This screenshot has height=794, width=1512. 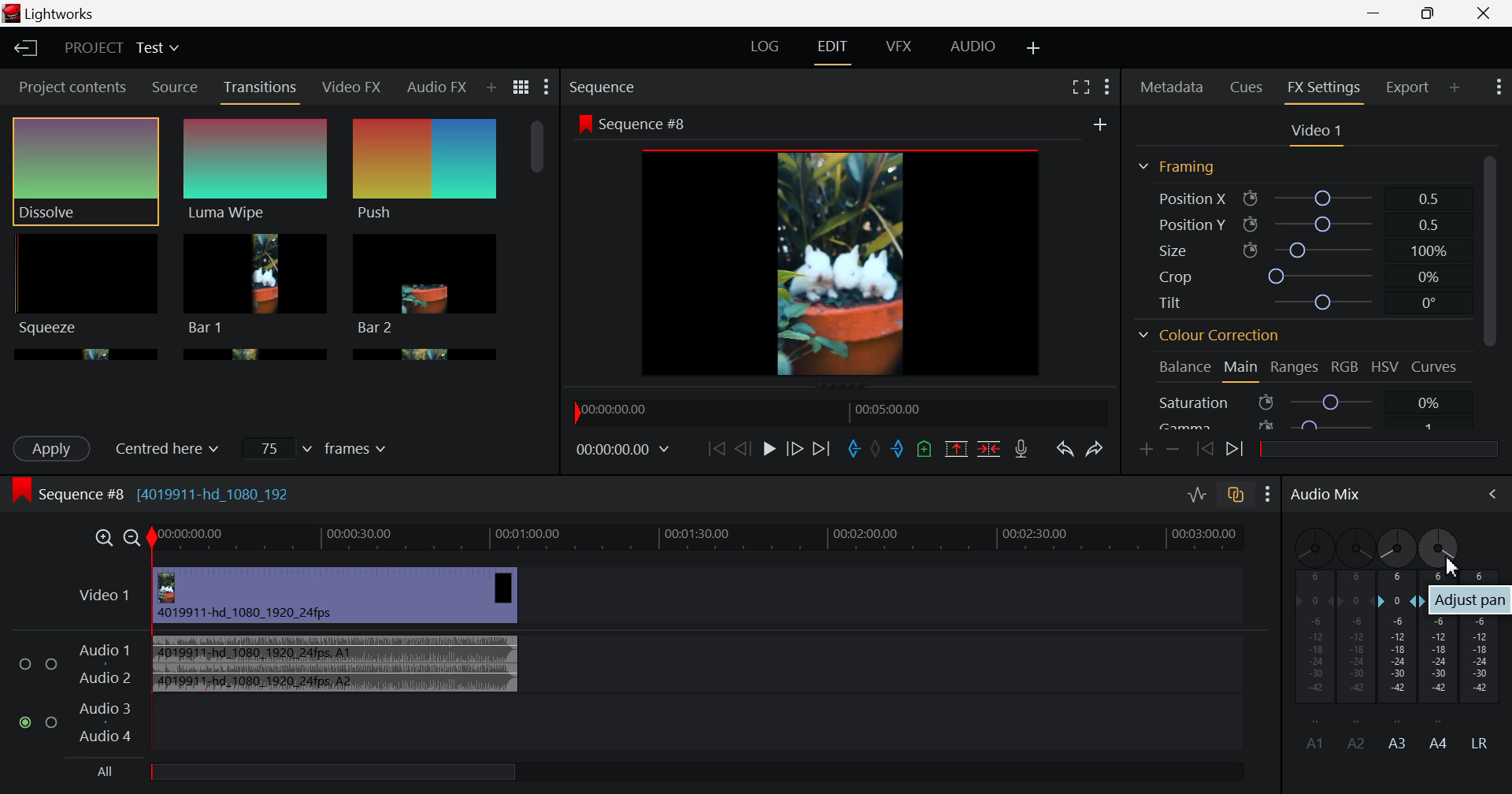 What do you see at coordinates (770, 448) in the screenshot?
I see `Play` at bounding box center [770, 448].